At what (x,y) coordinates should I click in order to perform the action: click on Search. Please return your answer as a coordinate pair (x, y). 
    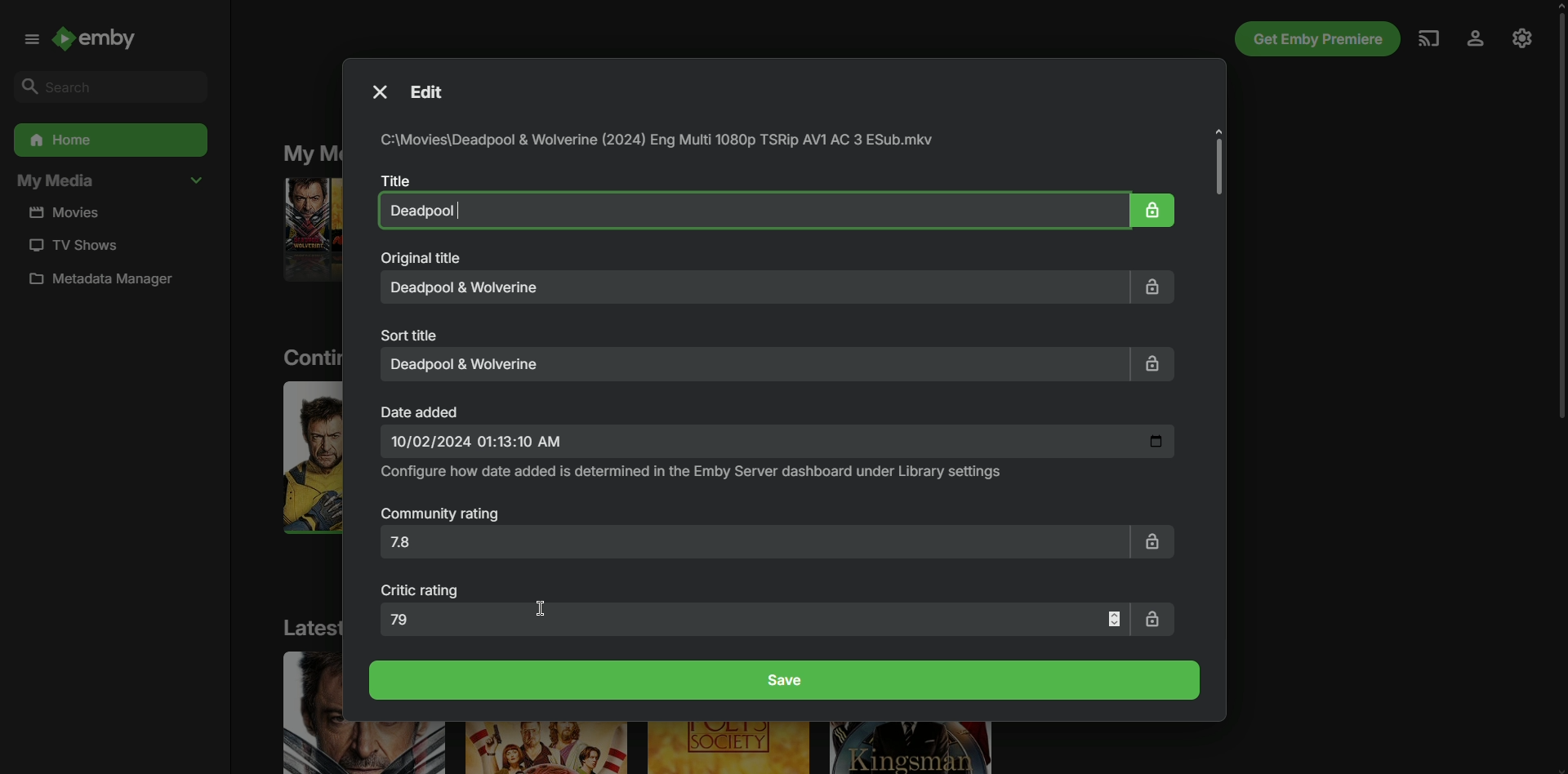
    Looking at the image, I should click on (105, 86).